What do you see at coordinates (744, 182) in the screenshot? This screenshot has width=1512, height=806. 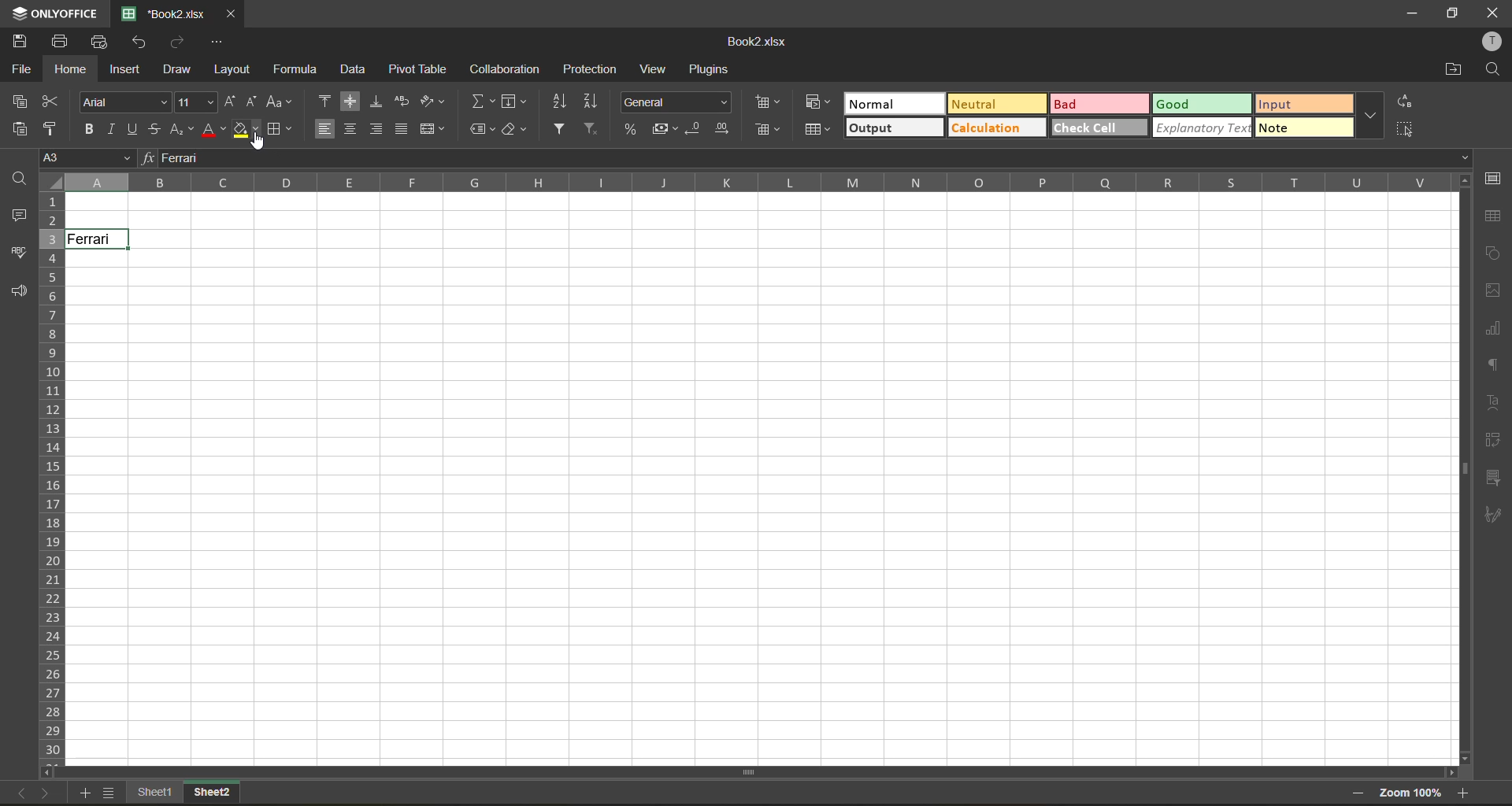 I see `column names` at bounding box center [744, 182].